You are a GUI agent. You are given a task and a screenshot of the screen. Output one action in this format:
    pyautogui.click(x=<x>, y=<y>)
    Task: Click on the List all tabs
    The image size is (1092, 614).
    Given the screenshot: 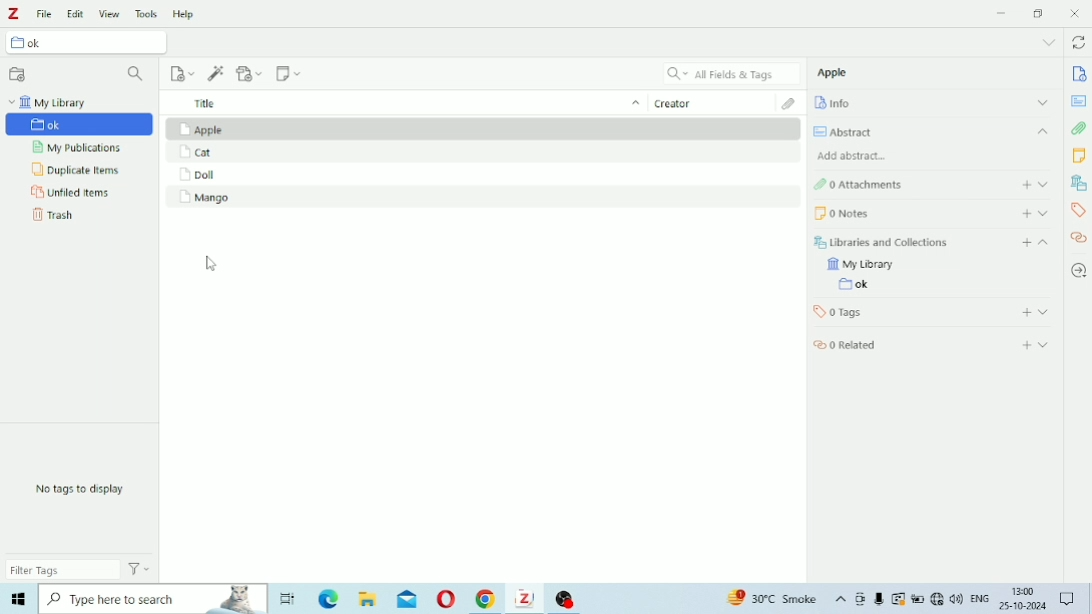 What is the action you would take?
    pyautogui.click(x=1050, y=41)
    